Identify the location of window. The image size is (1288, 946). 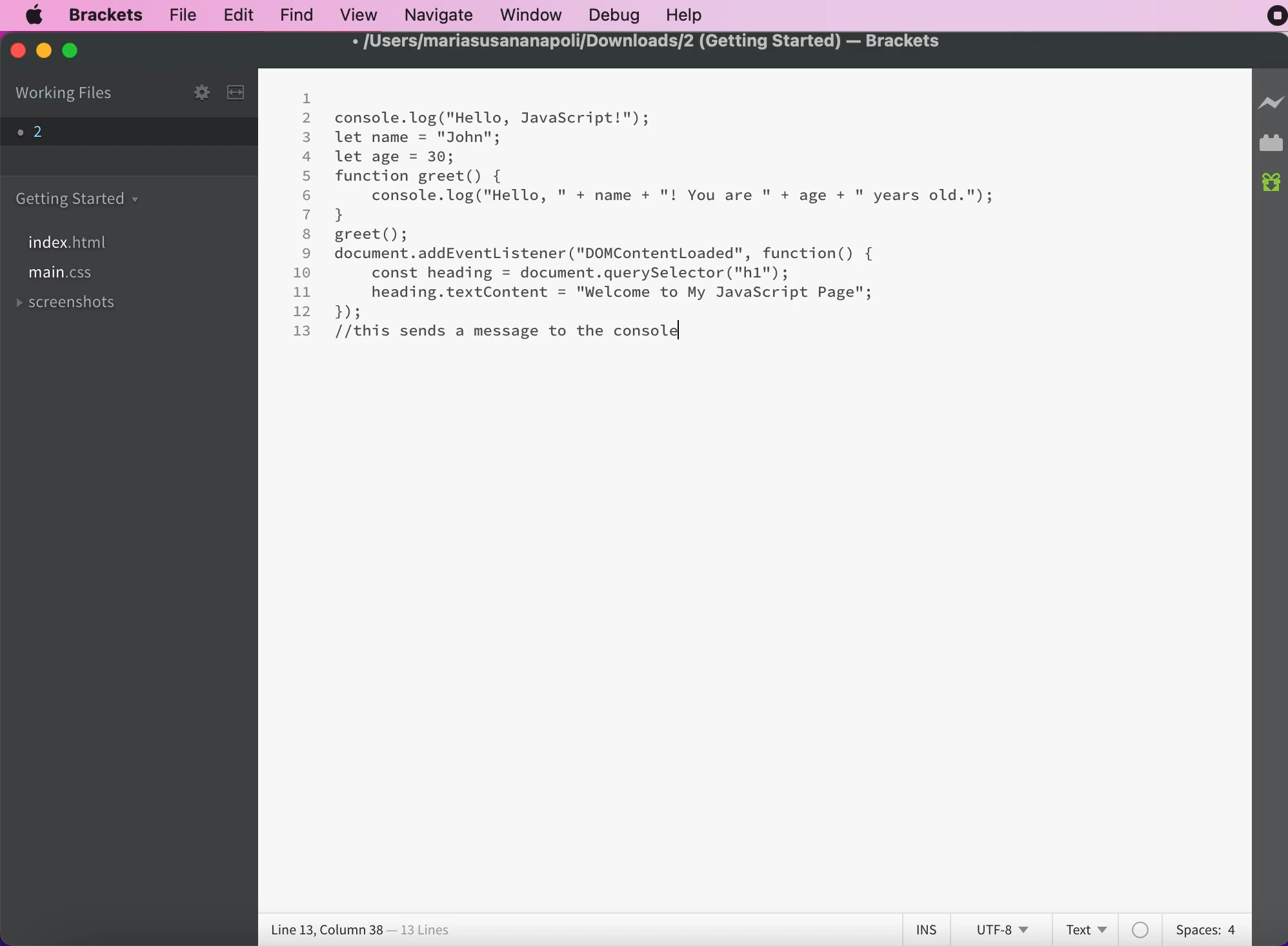
(529, 16).